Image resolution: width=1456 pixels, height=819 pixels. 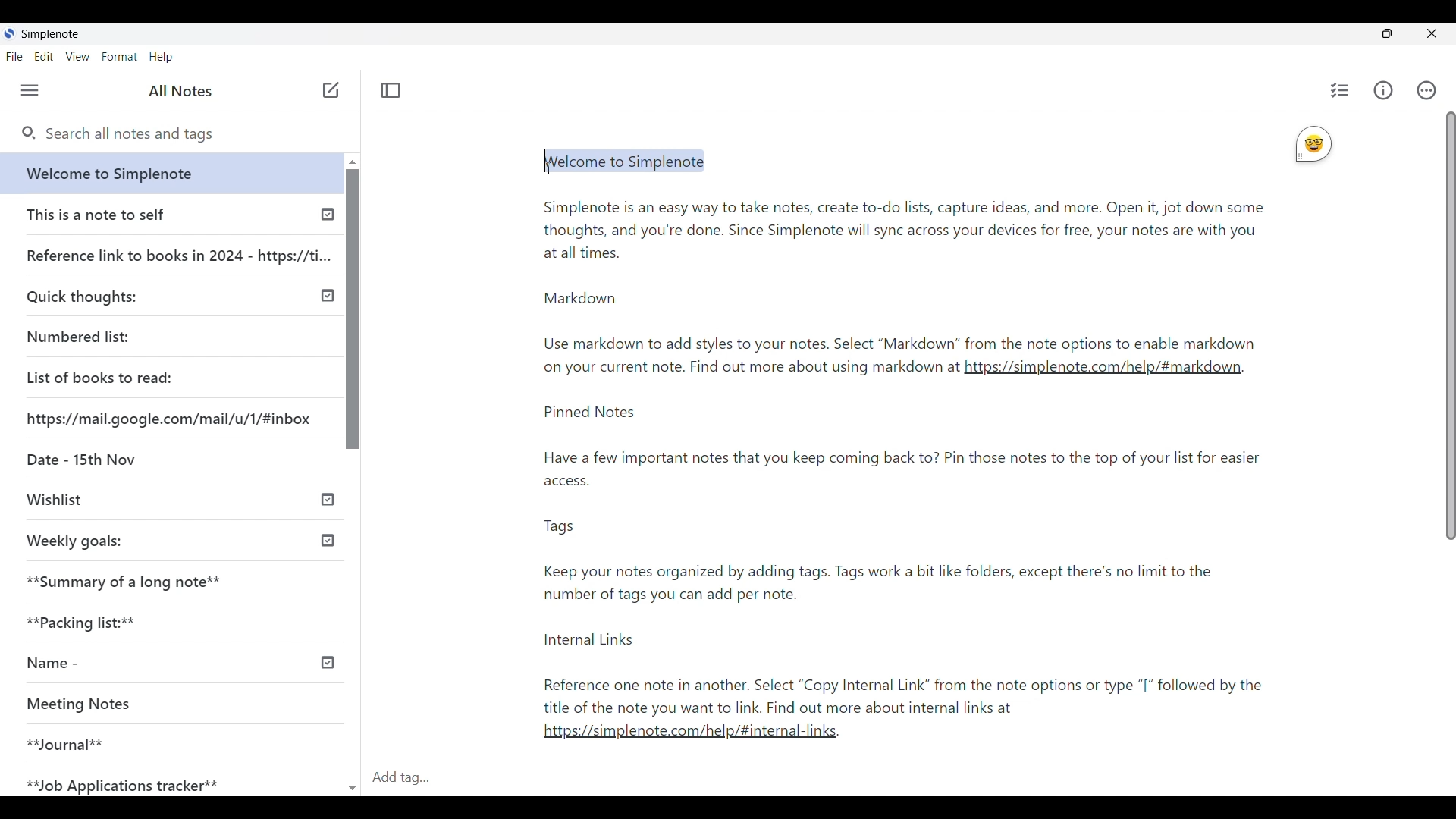 I want to click on Insert checklist, so click(x=1340, y=90).